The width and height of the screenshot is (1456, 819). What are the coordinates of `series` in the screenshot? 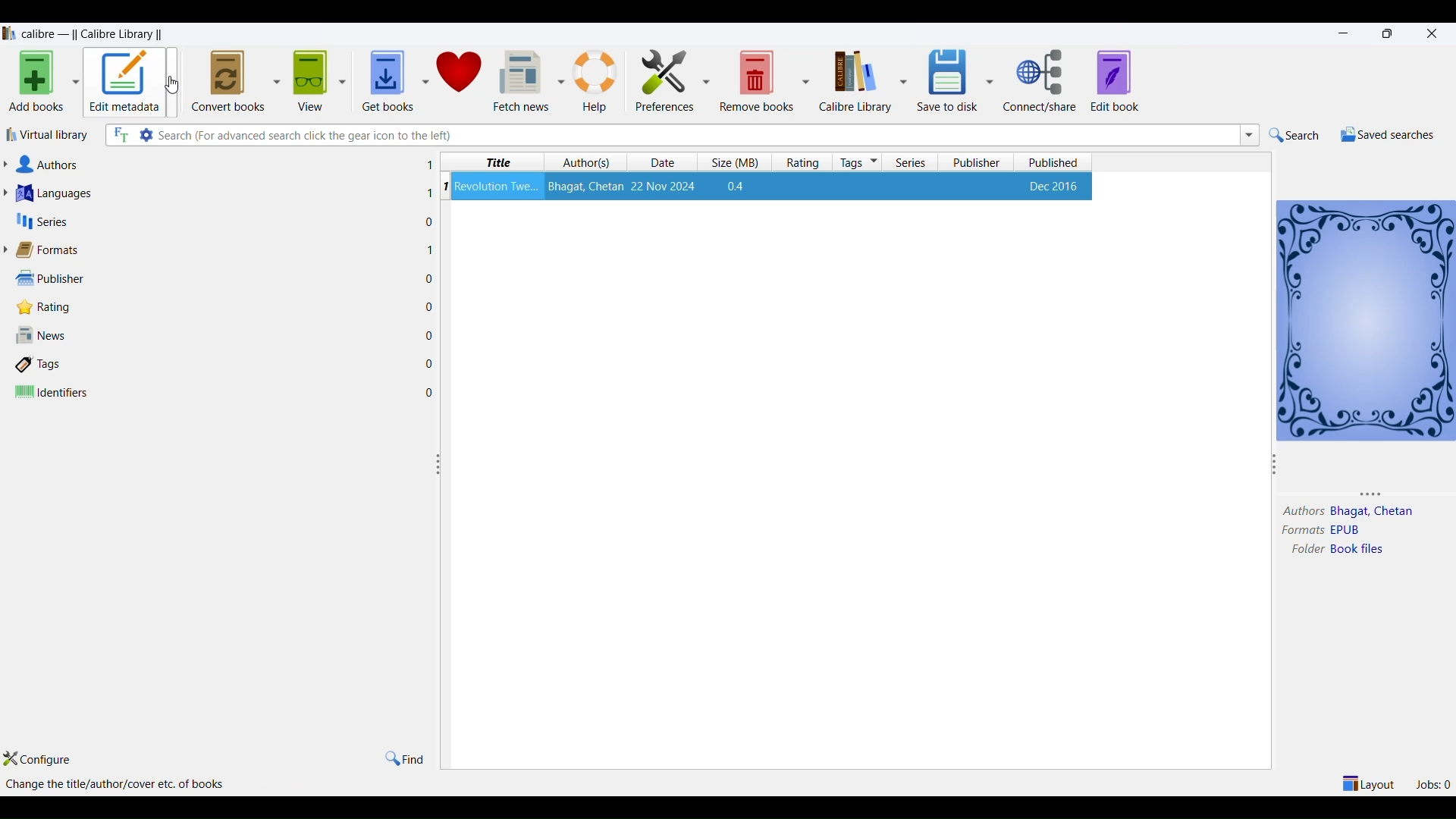 It's located at (914, 162).